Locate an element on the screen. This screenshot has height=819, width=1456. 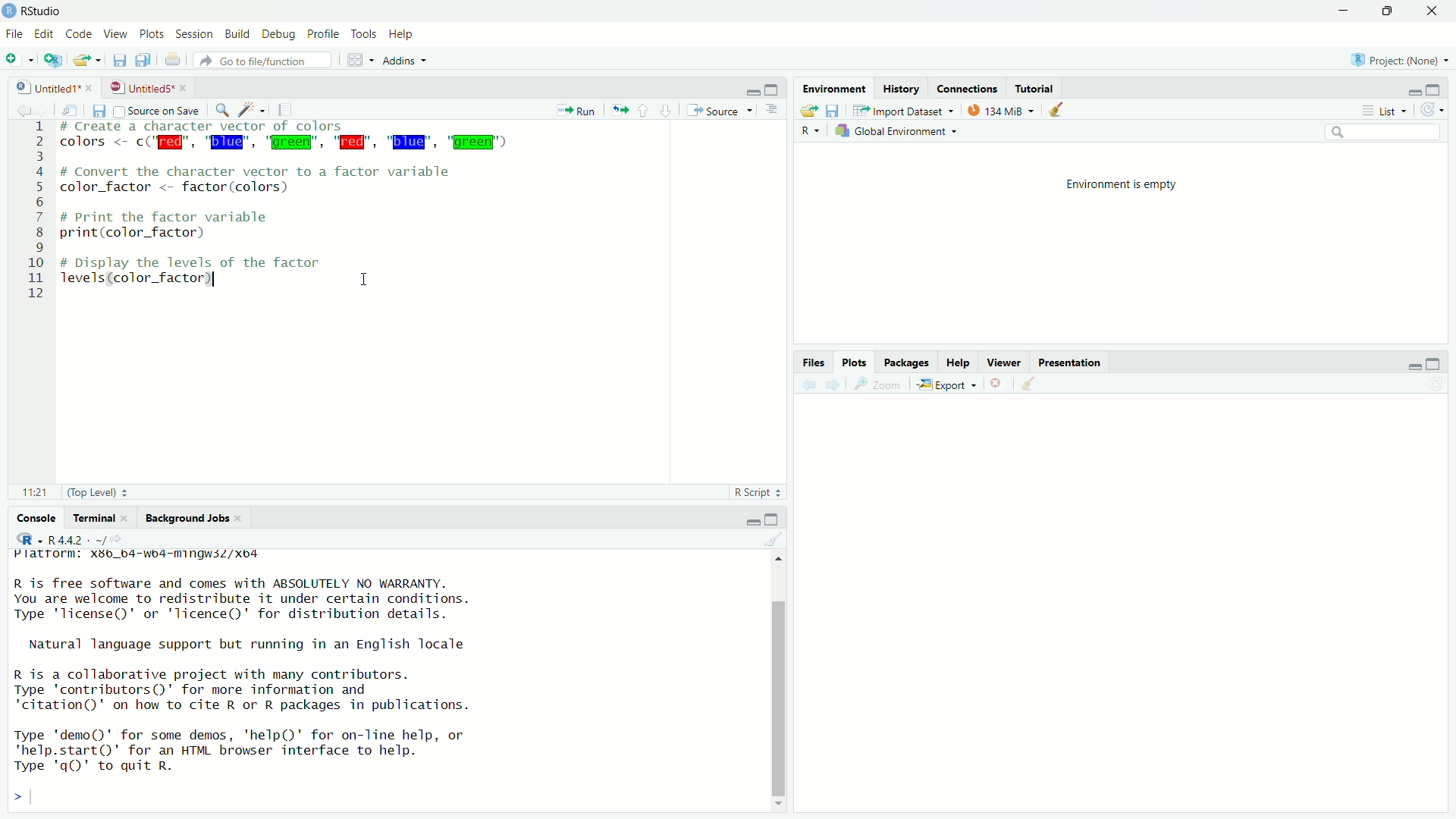
source on save is located at coordinates (160, 110).